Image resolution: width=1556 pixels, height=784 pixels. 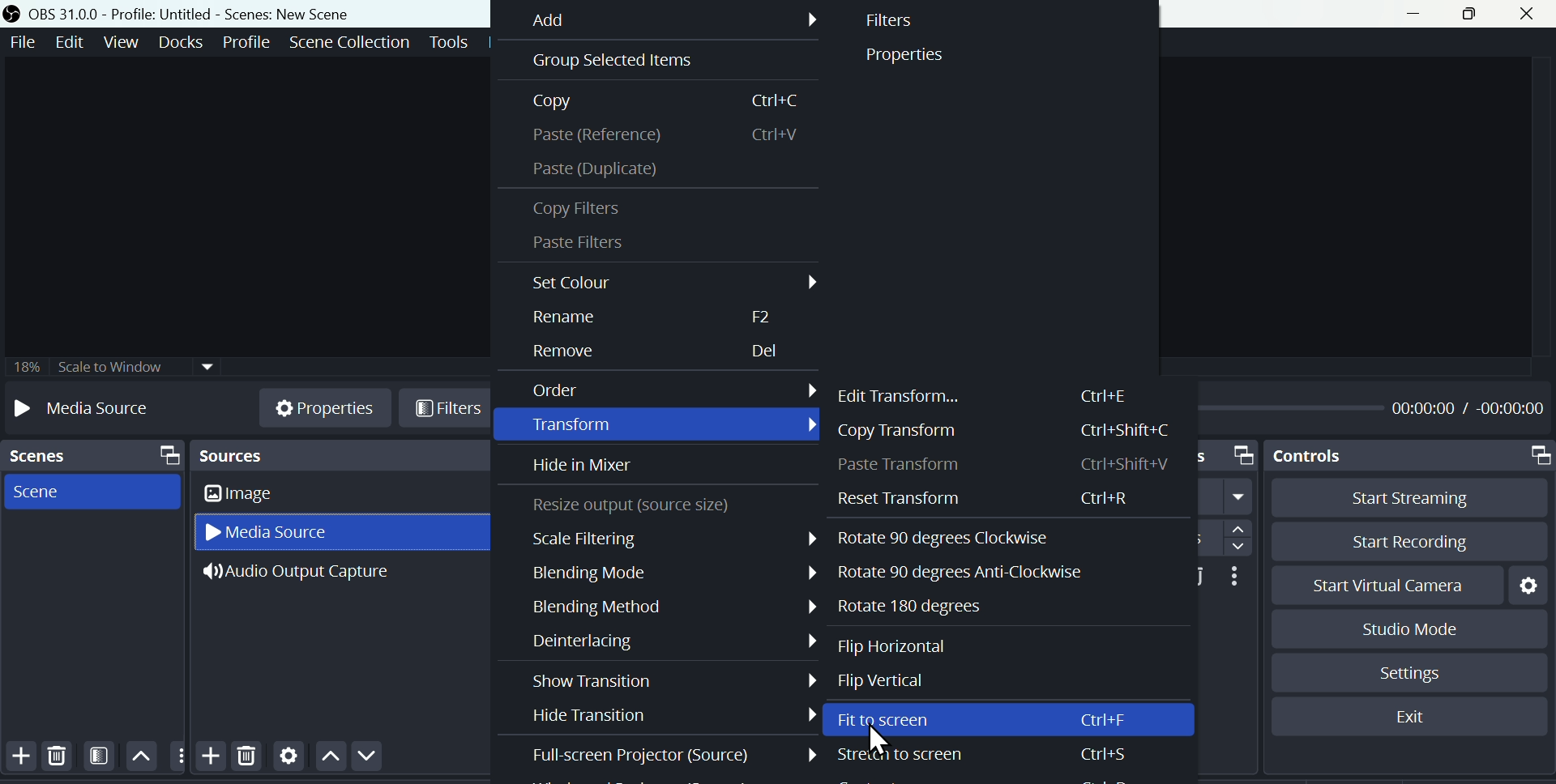 What do you see at coordinates (1528, 583) in the screenshot?
I see `Settings` at bounding box center [1528, 583].